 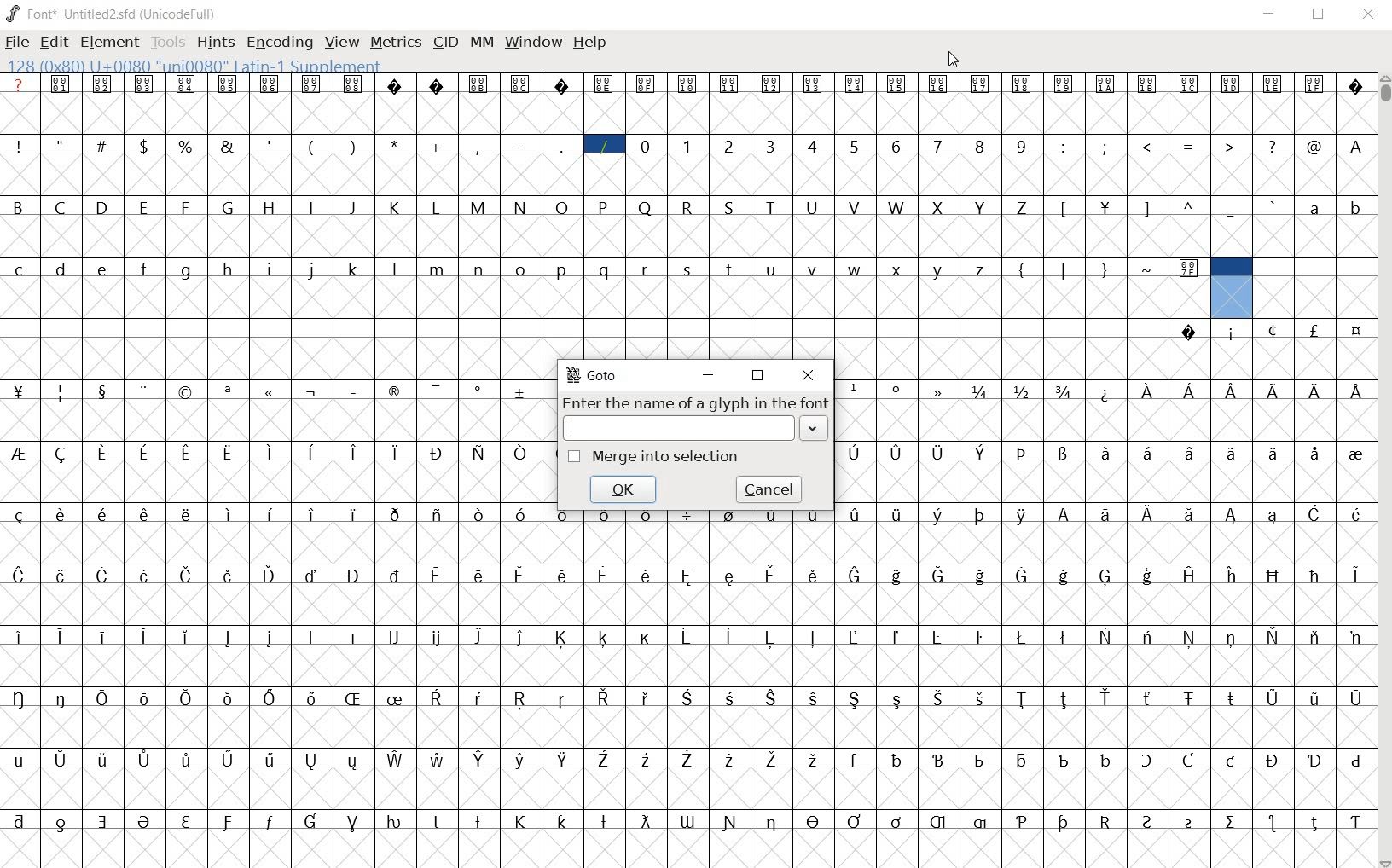 I want to click on Symbol, so click(x=395, y=85).